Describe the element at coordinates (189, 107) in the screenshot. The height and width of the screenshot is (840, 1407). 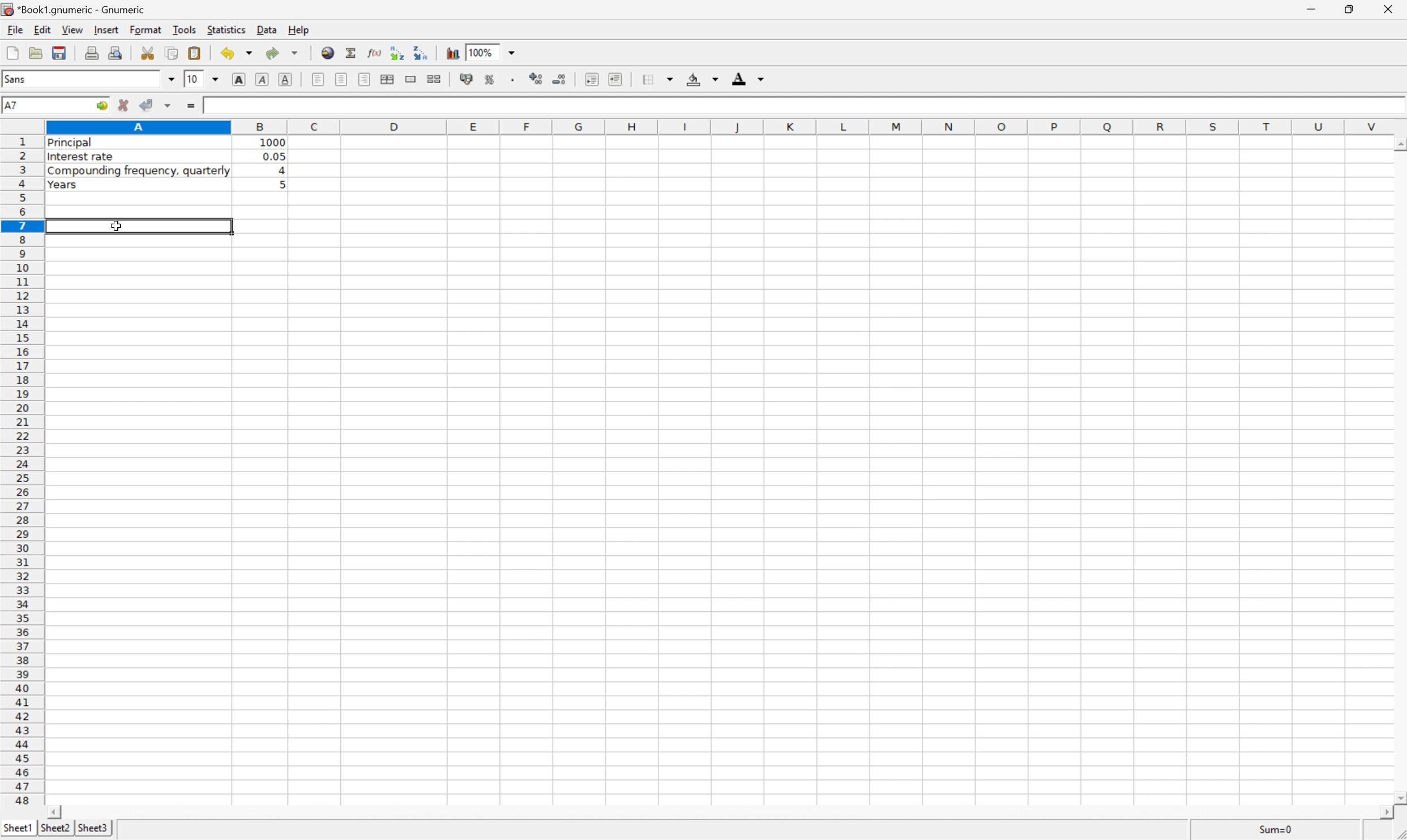
I see `enter formula` at that location.